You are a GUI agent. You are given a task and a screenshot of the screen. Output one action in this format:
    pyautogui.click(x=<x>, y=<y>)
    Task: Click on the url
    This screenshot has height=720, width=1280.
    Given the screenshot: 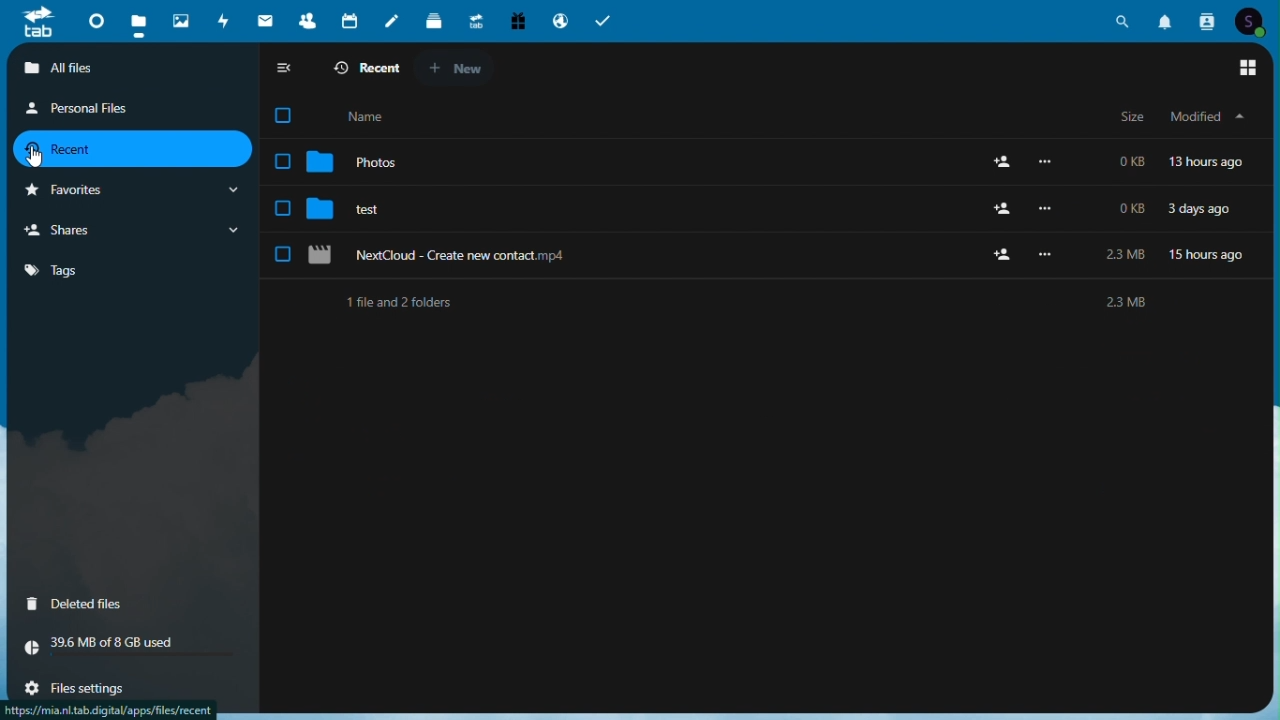 What is the action you would take?
    pyautogui.click(x=109, y=710)
    